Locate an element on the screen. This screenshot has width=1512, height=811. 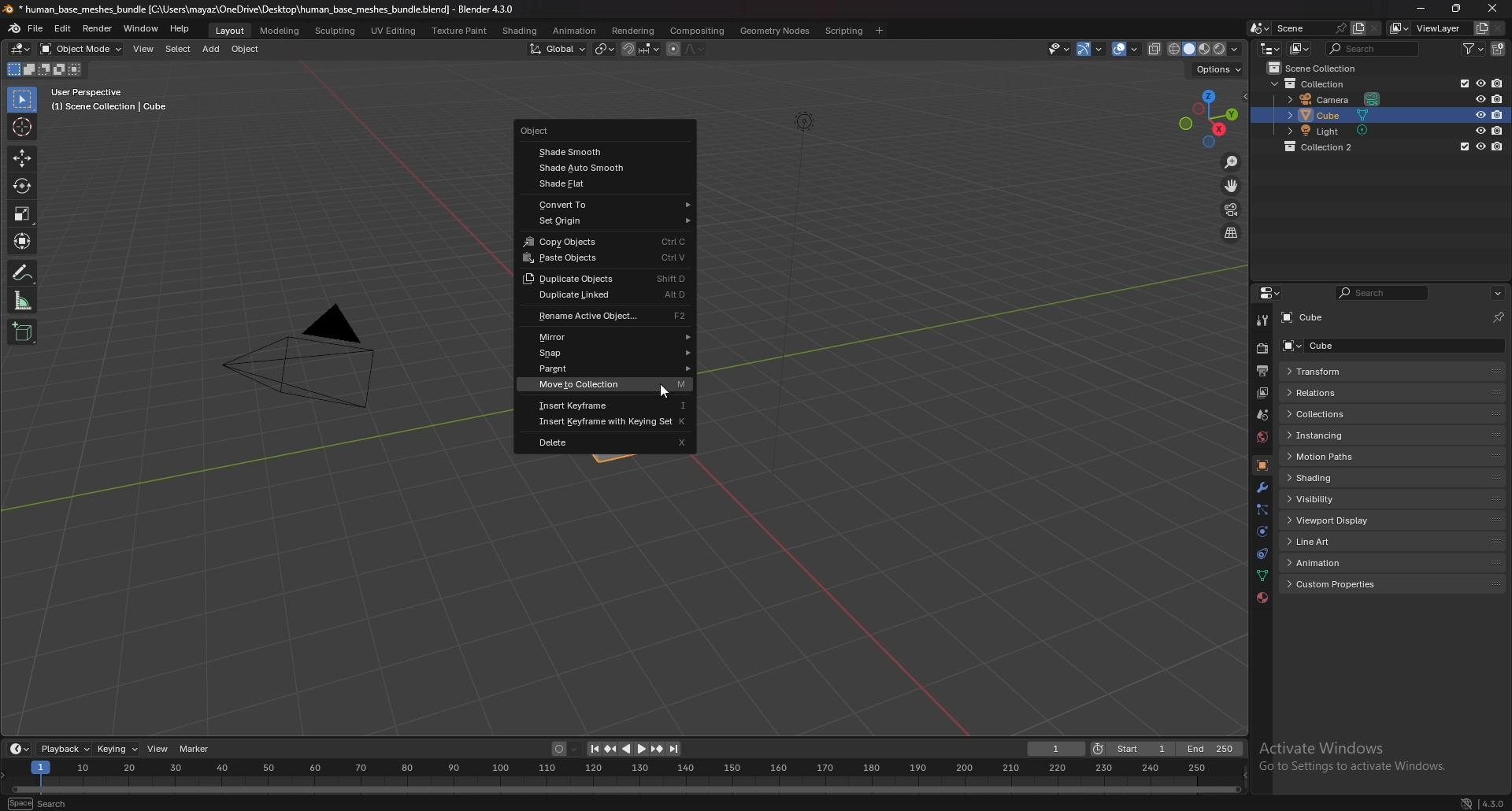
world is located at coordinates (1262, 437).